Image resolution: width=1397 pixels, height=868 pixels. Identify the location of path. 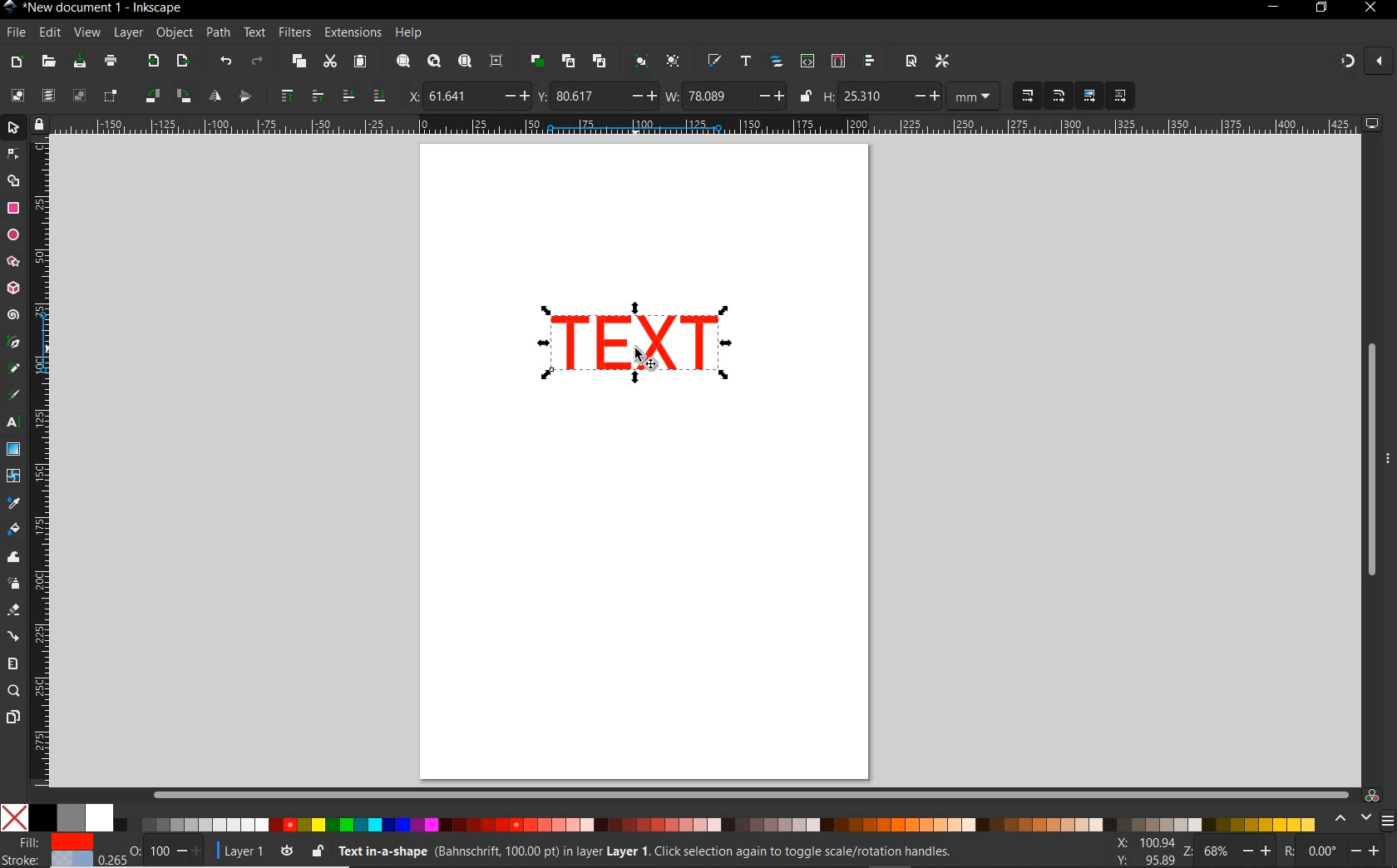
(218, 33).